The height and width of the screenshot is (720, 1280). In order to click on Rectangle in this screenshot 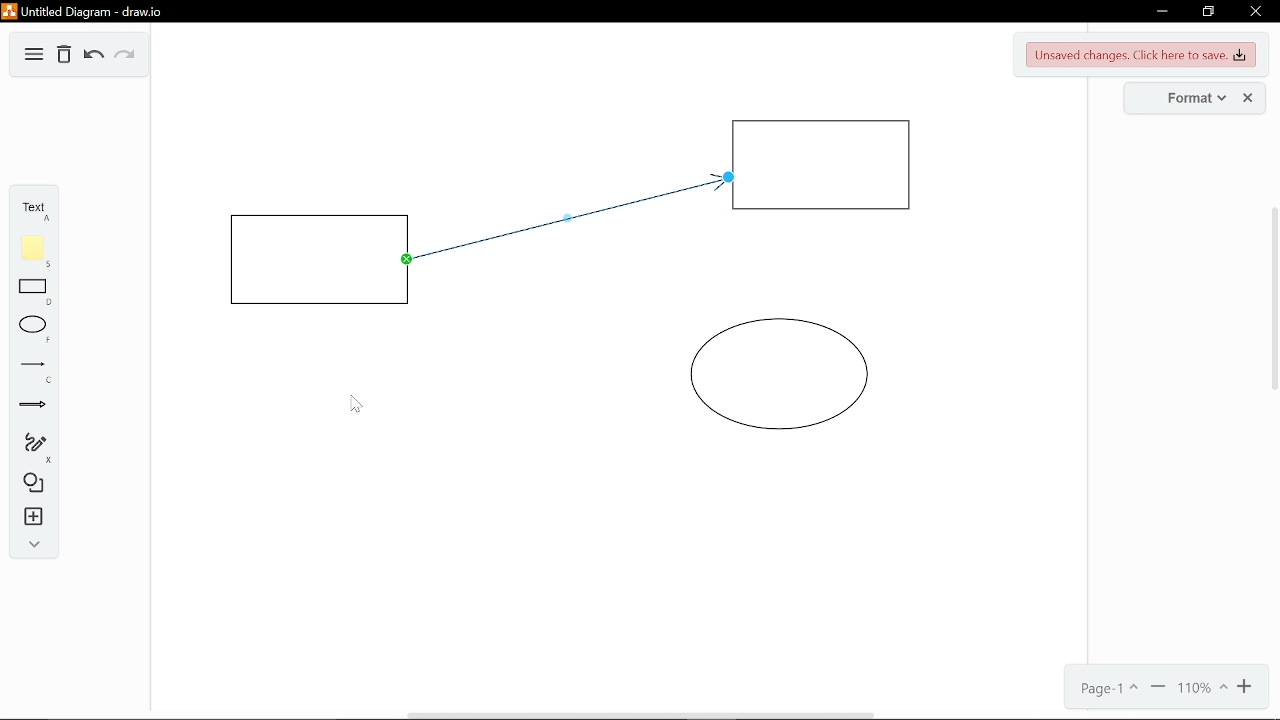, I will do `click(35, 291)`.